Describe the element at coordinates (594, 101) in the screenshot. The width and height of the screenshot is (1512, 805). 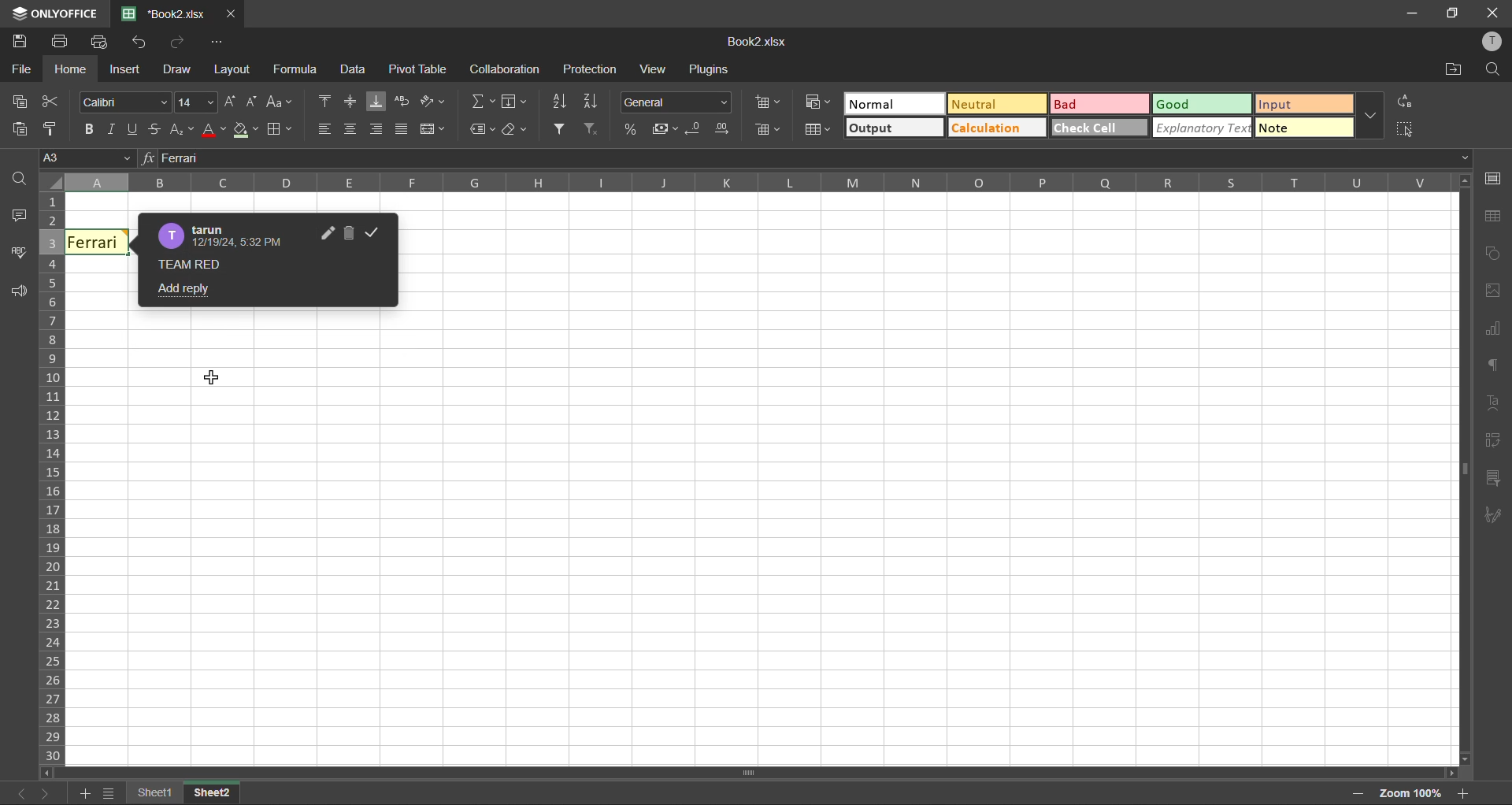
I see `sort descending` at that location.